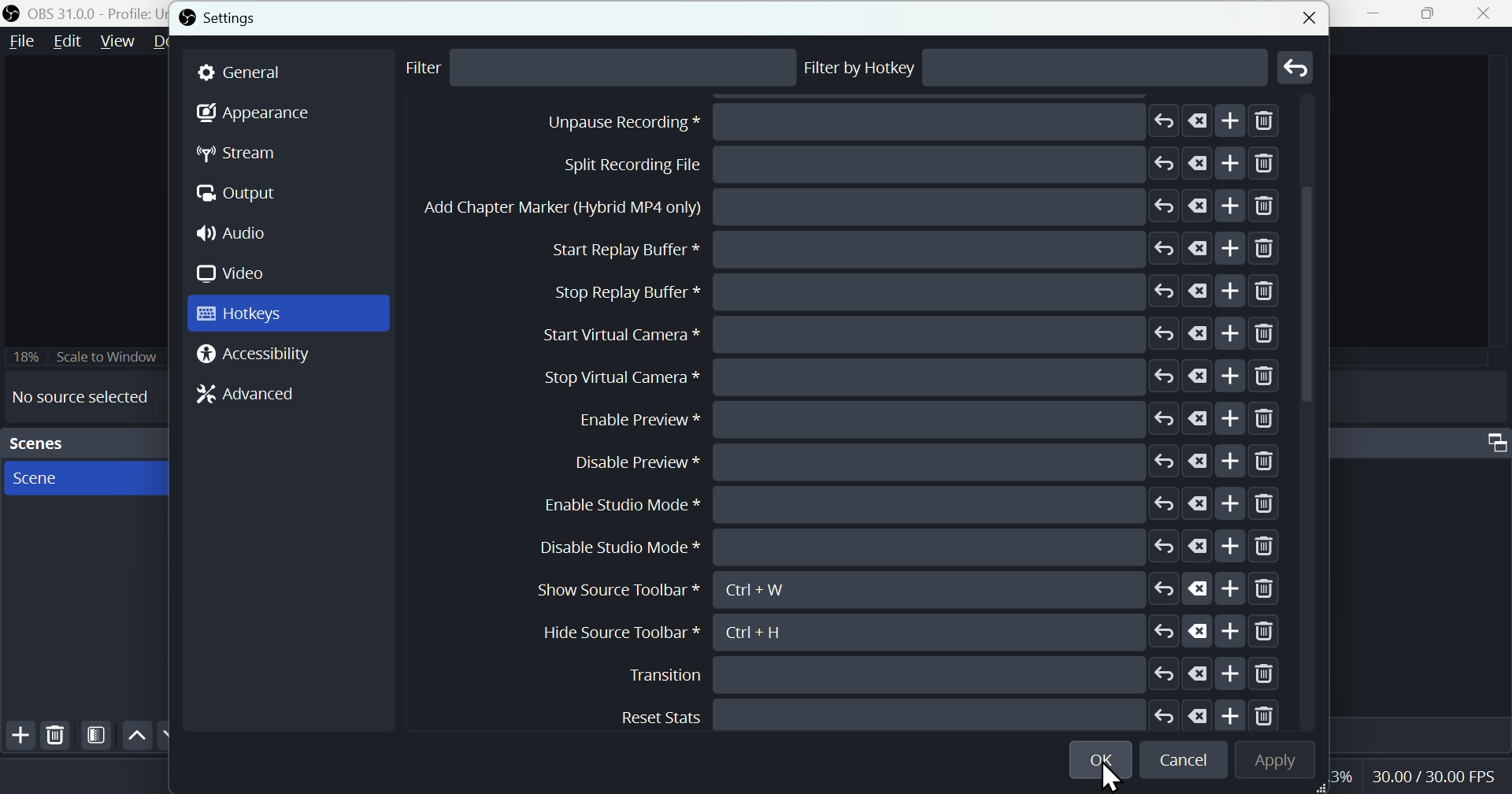  I want to click on Docks, so click(172, 43).